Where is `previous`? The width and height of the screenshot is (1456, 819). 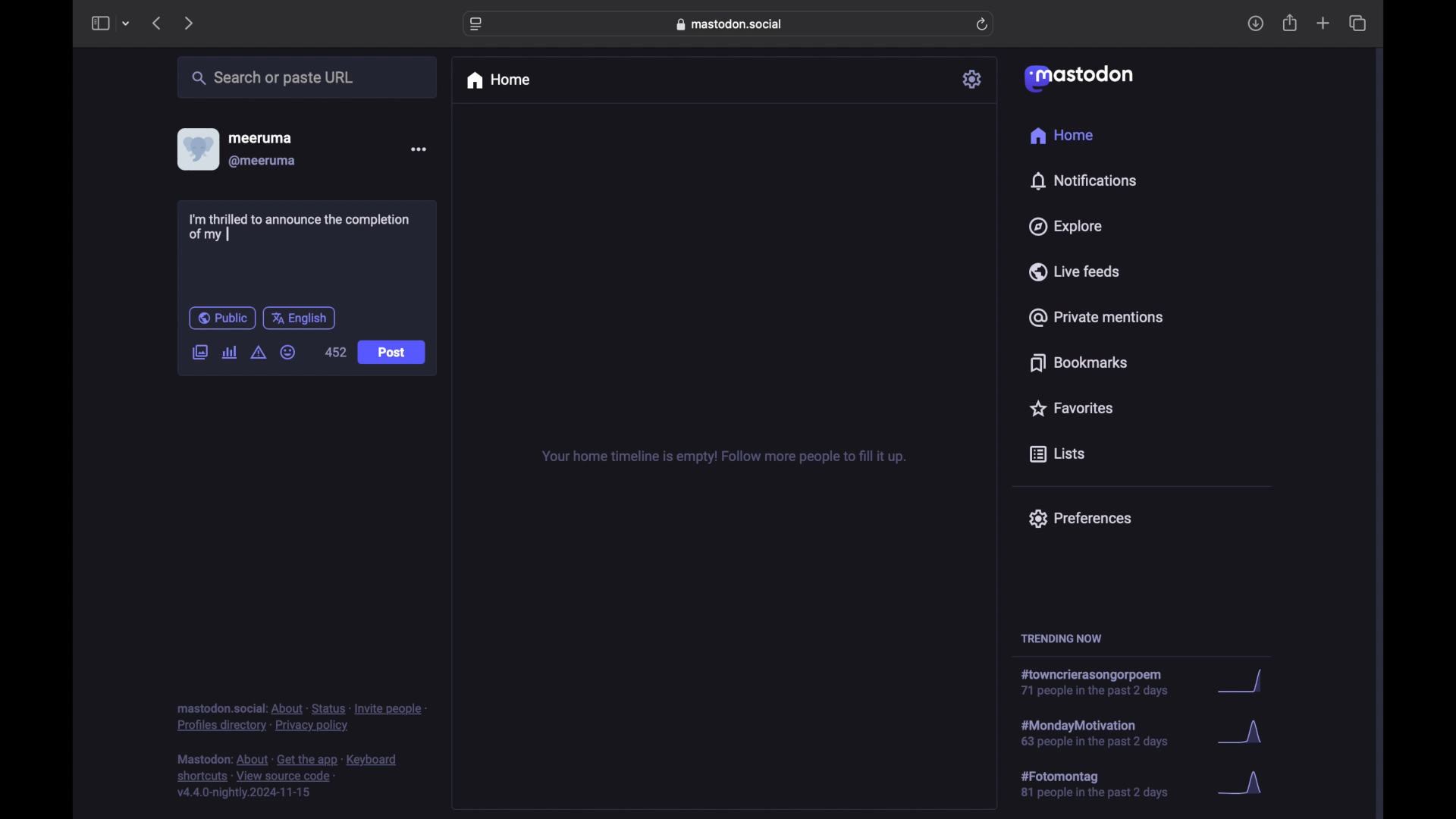
previous is located at coordinates (156, 23).